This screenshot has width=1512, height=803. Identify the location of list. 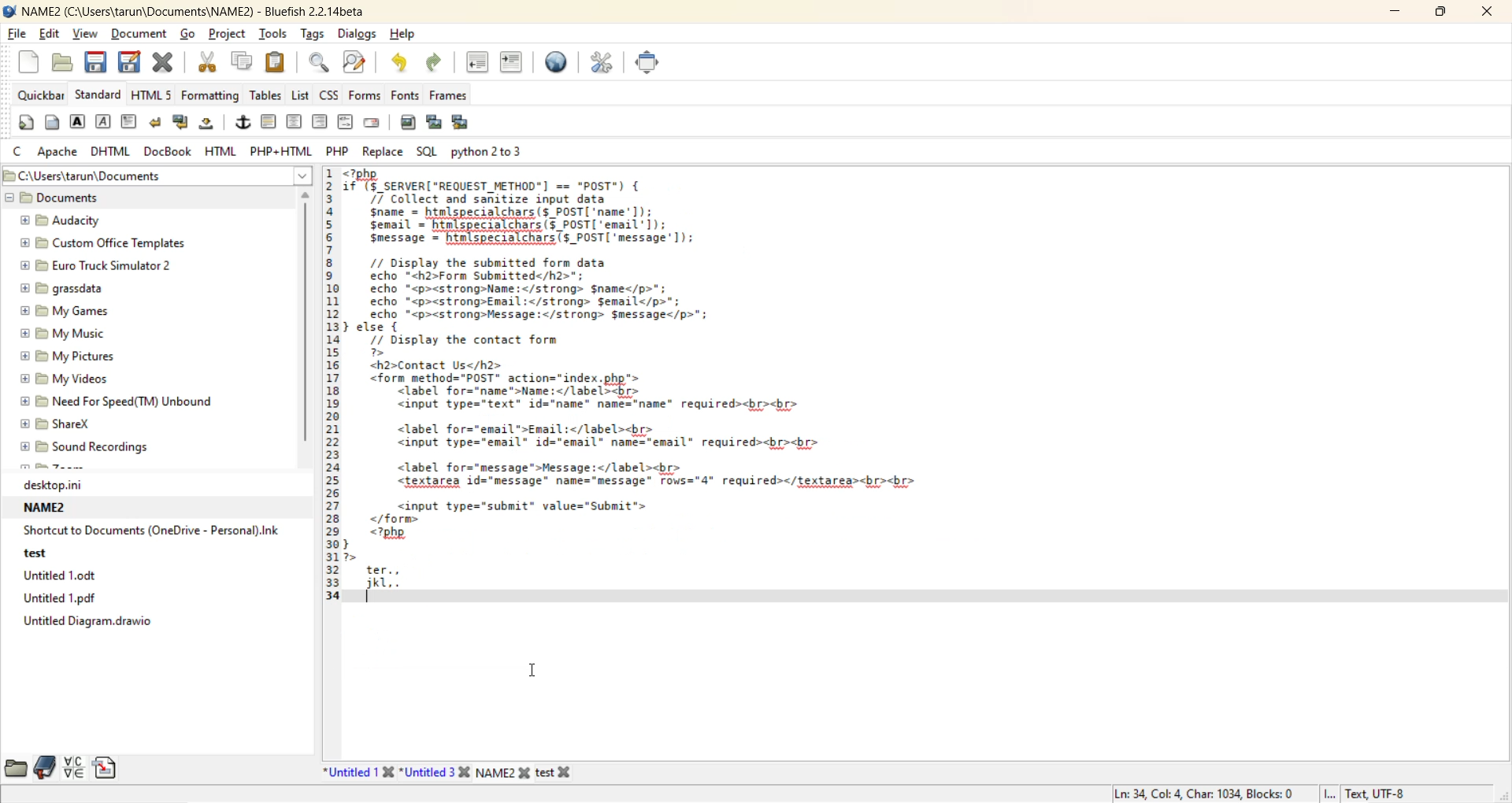
(302, 97).